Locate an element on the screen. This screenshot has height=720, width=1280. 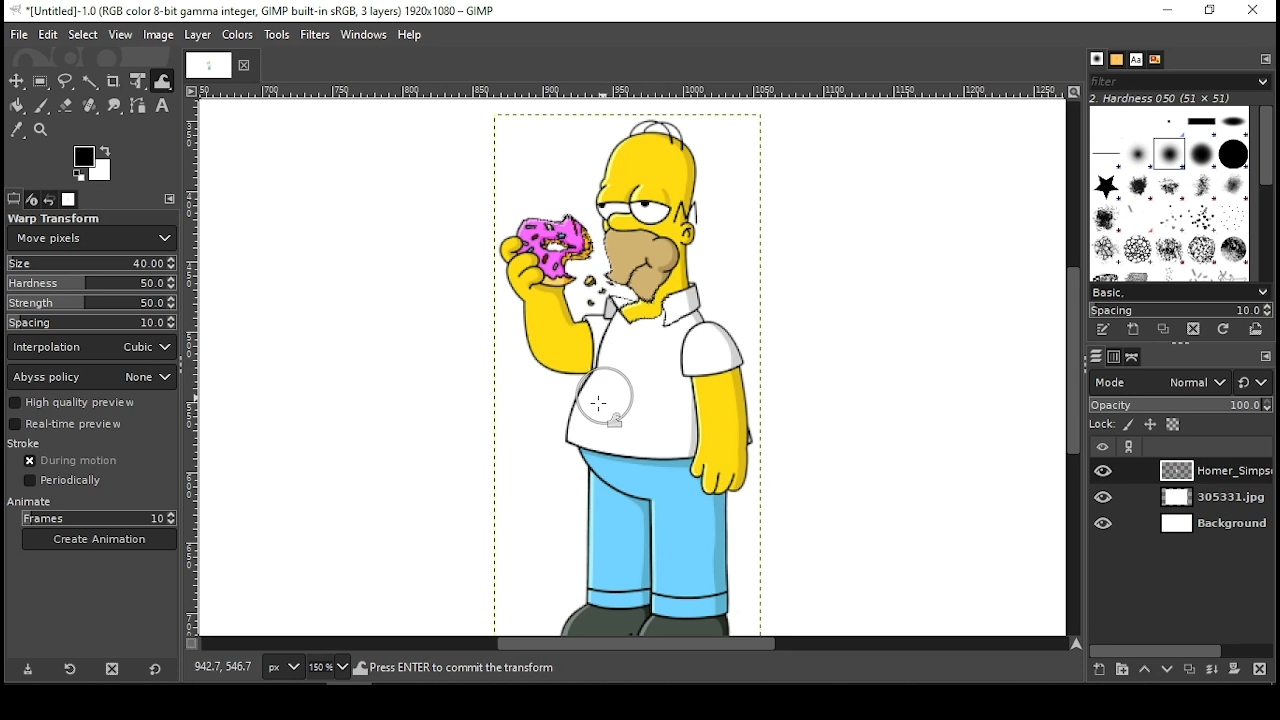
hardness 050 is located at coordinates (1182, 98).